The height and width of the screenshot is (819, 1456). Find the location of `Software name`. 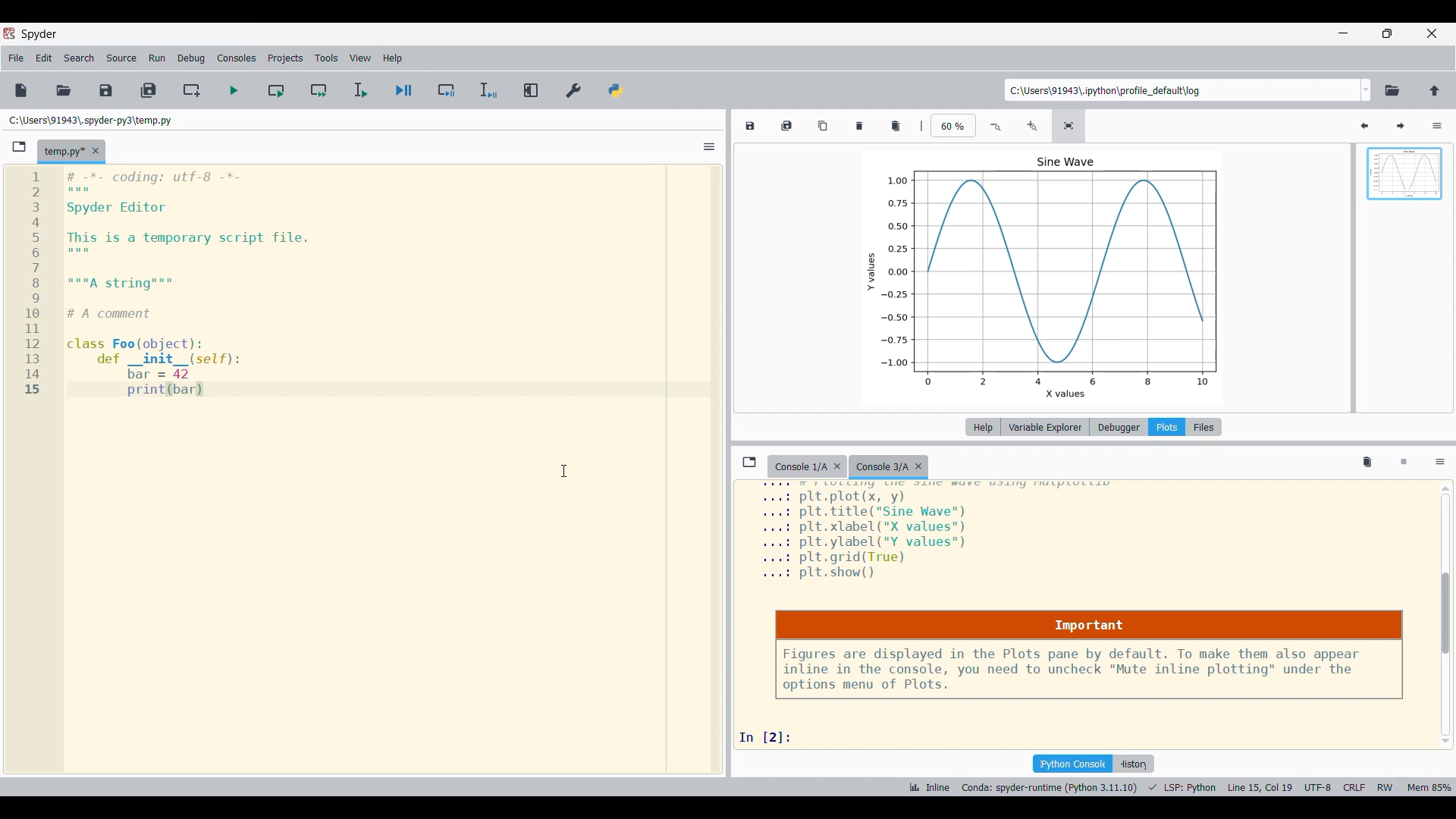

Software name is located at coordinates (38, 34).